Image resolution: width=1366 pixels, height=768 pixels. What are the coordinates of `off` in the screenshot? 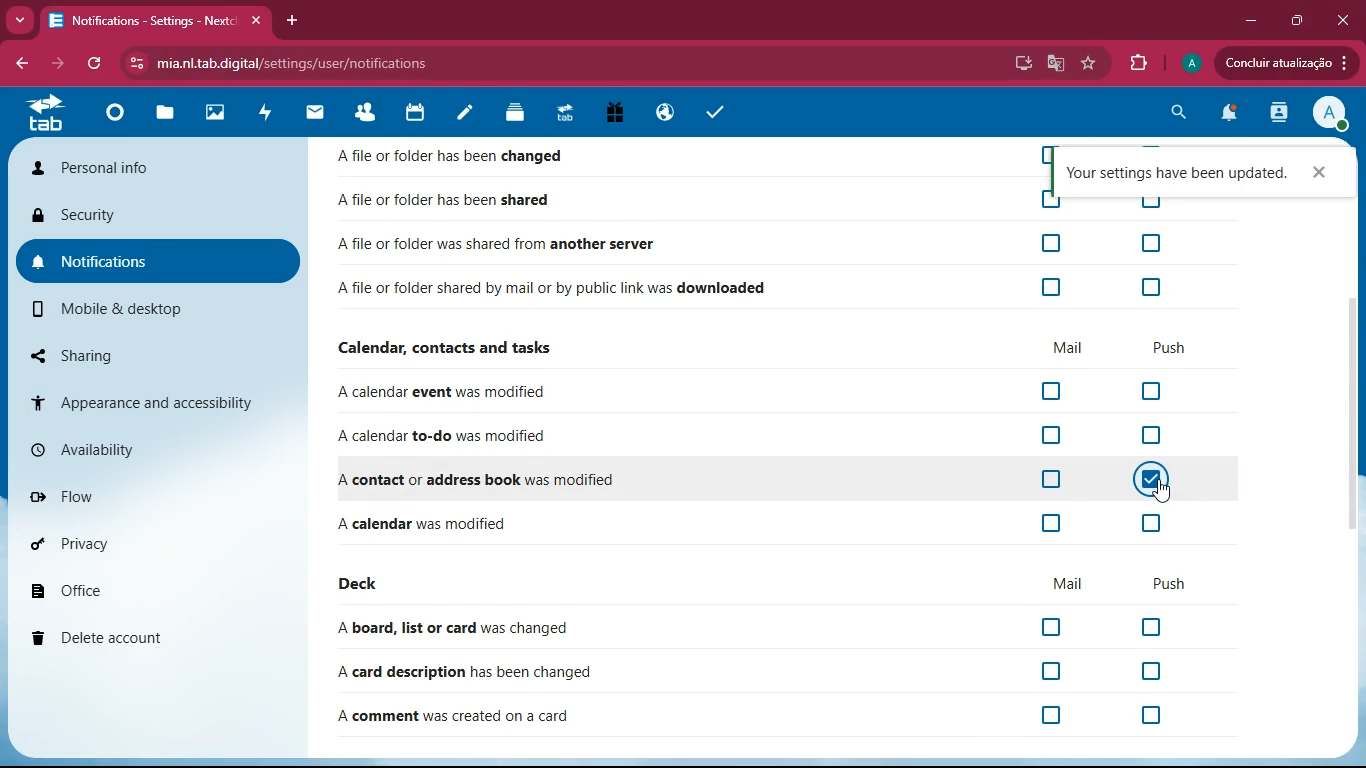 It's located at (1156, 628).